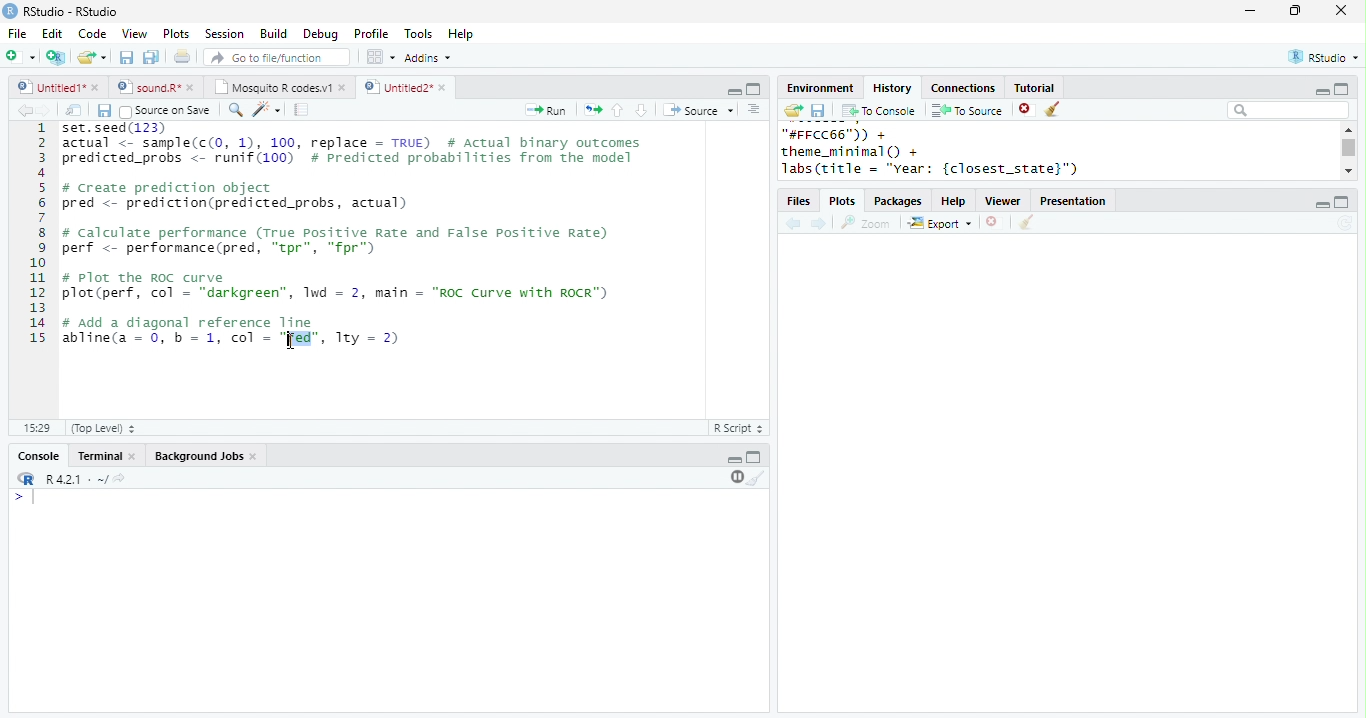  Describe the element at coordinates (291, 343) in the screenshot. I see `cursor` at that location.